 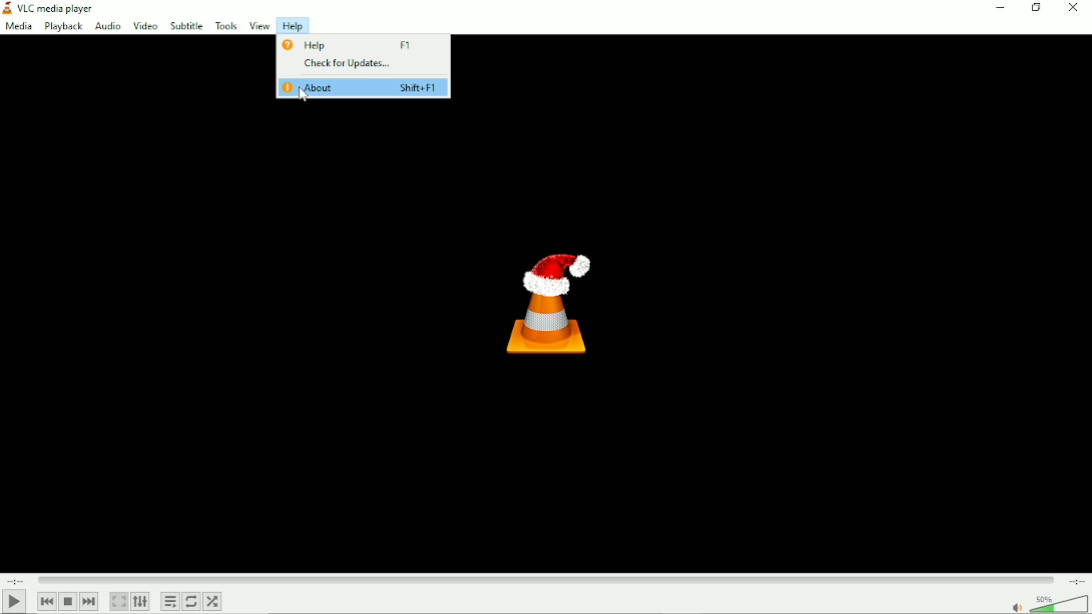 I want to click on Elapsed time, so click(x=15, y=580).